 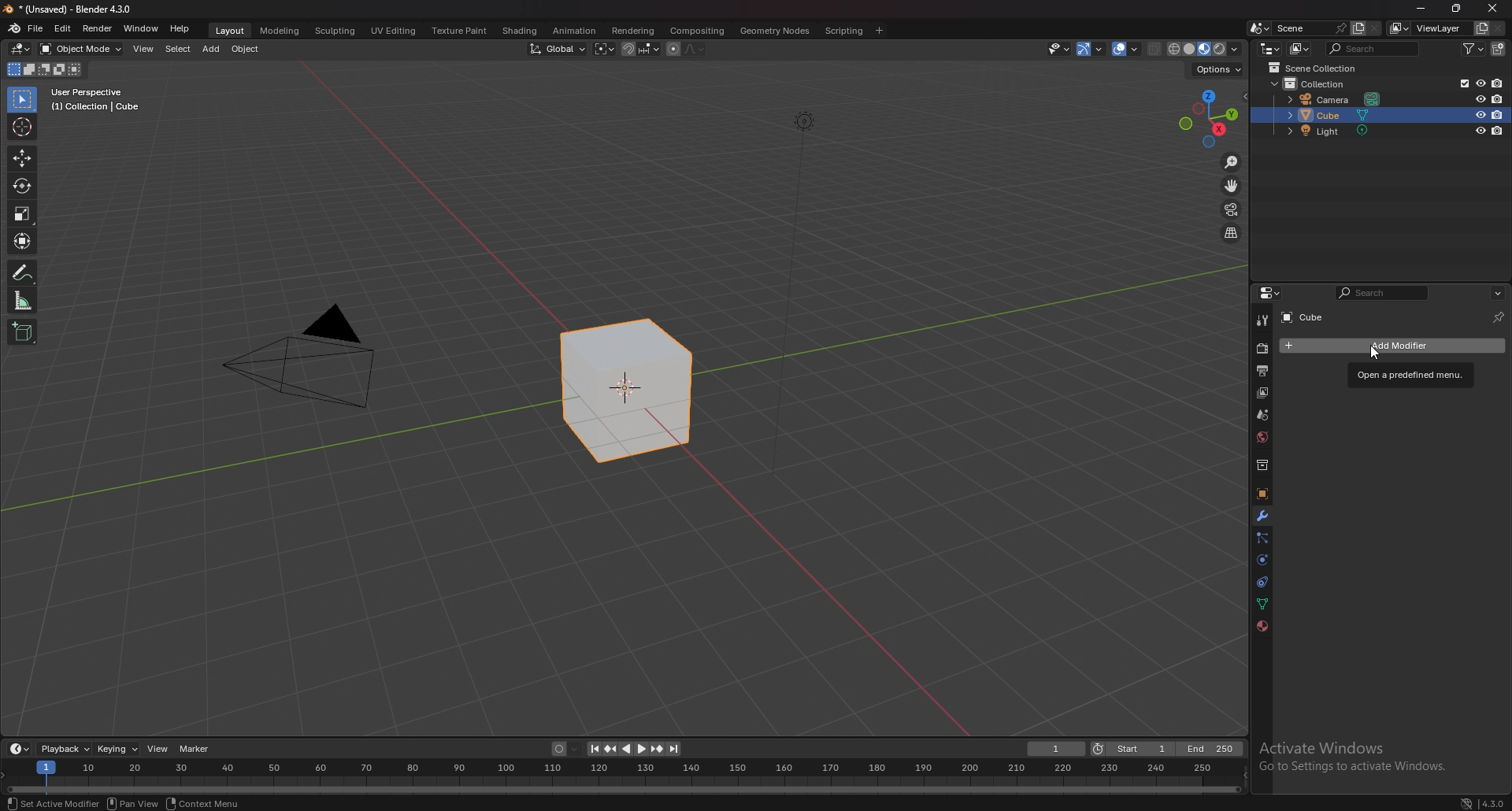 I want to click on edit, so click(x=63, y=28).